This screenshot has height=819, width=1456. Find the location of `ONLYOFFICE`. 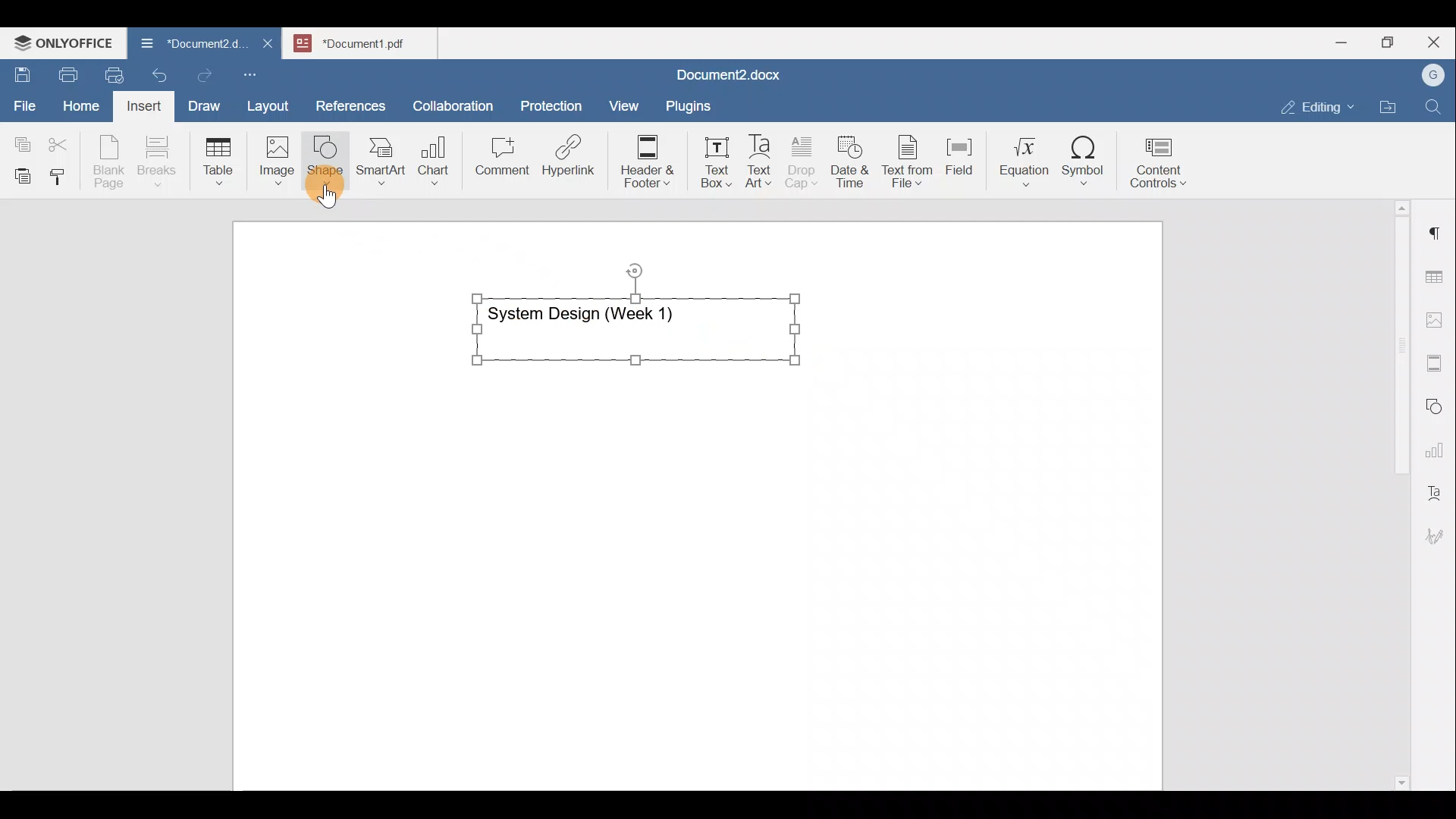

ONLYOFFICE is located at coordinates (64, 42).